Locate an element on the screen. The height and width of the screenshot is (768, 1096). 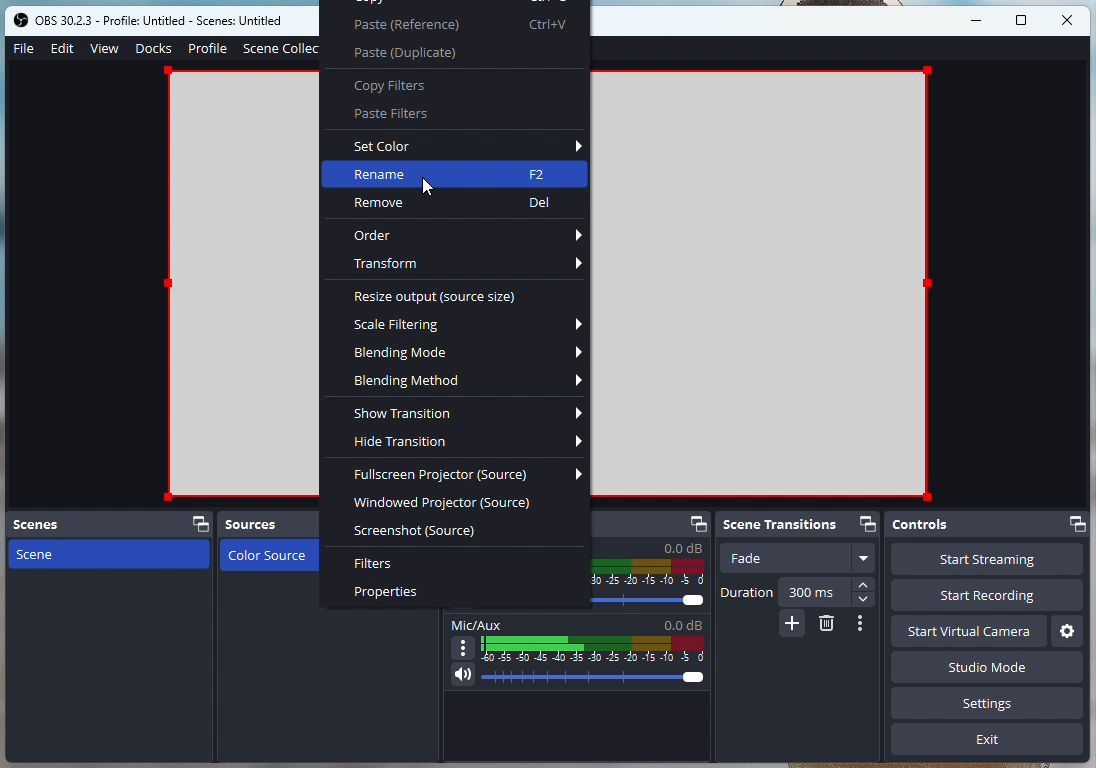
Paste is located at coordinates (429, 50).